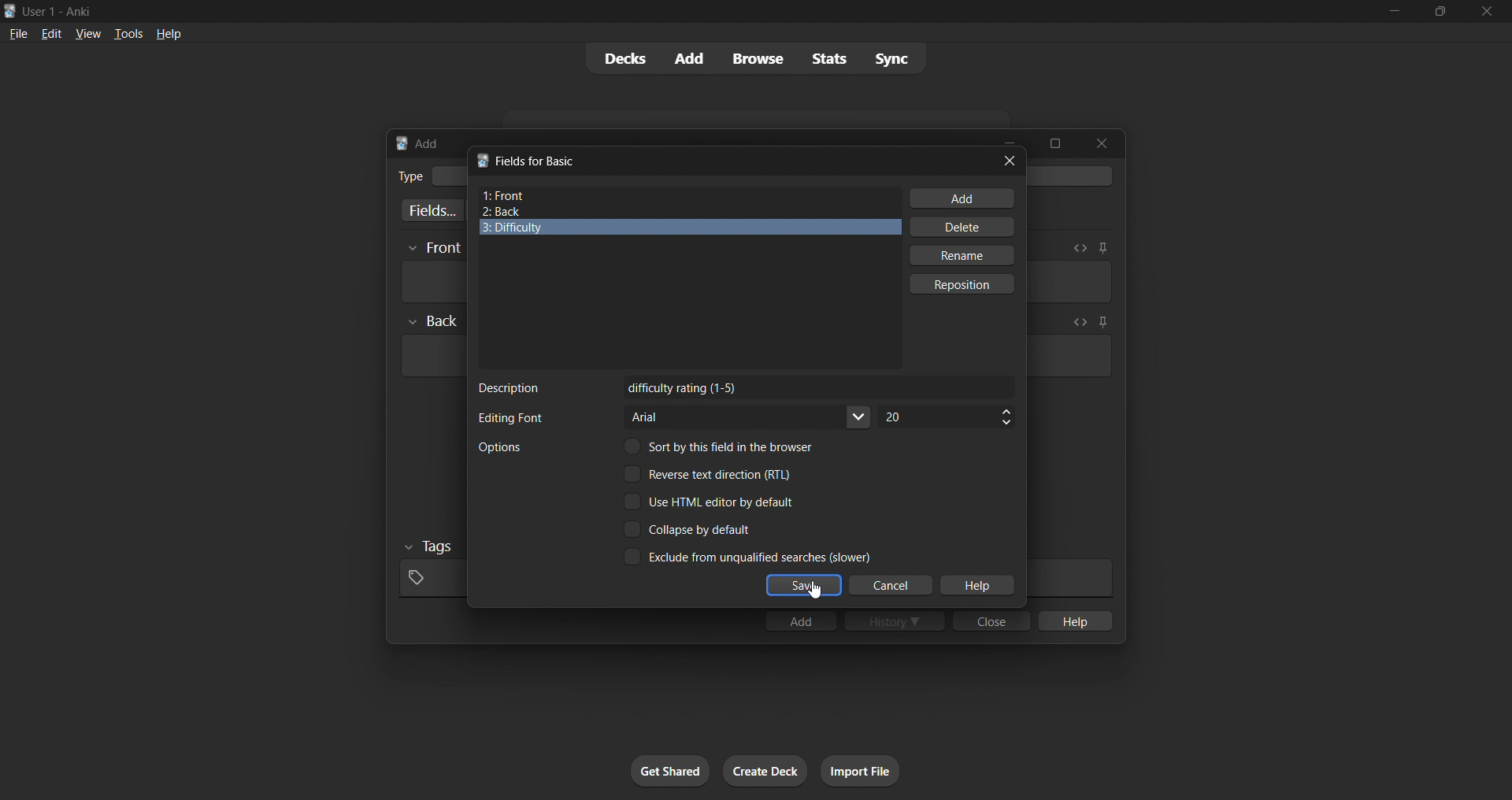  I want to click on tools, so click(127, 33).